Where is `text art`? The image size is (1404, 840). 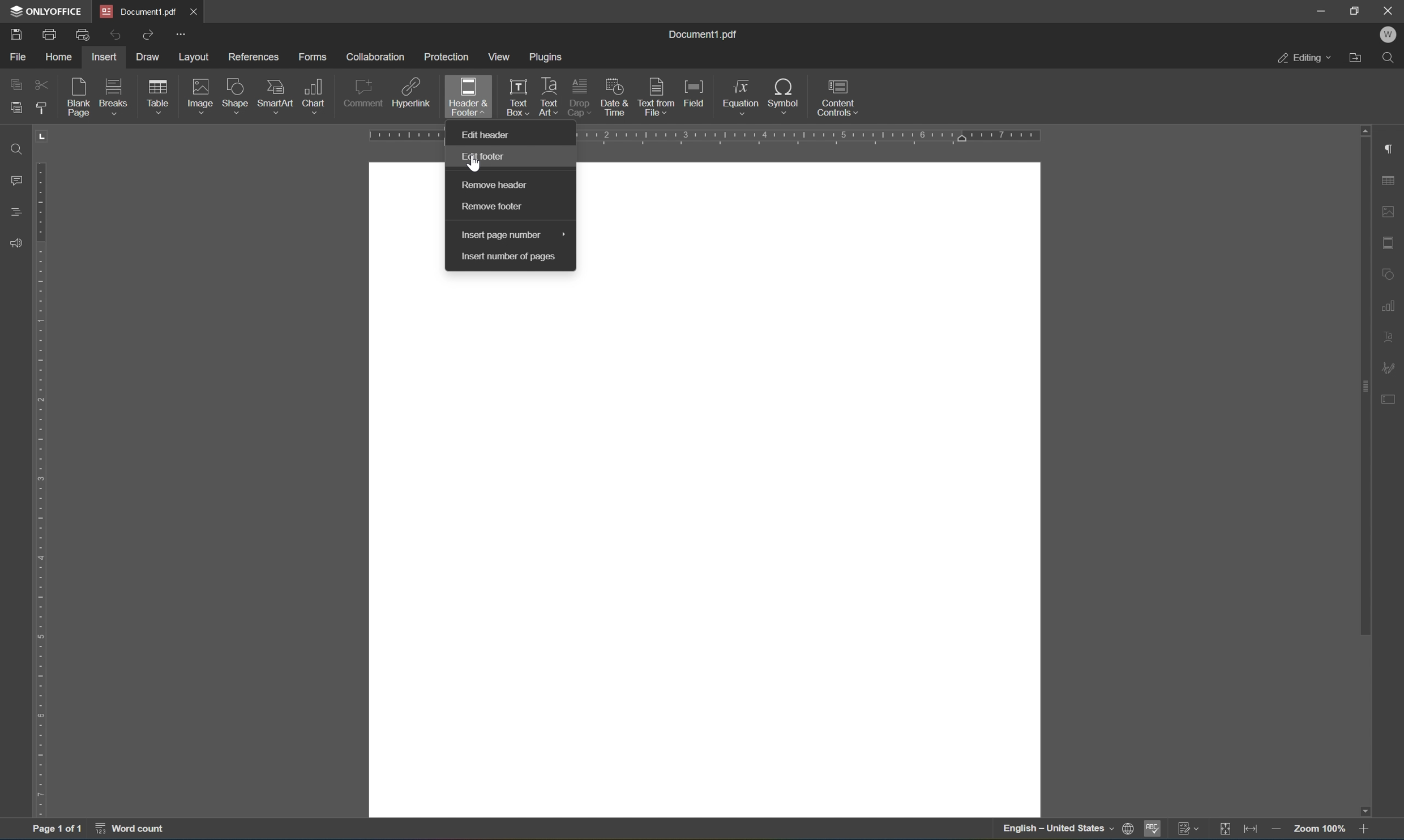 text art is located at coordinates (549, 84).